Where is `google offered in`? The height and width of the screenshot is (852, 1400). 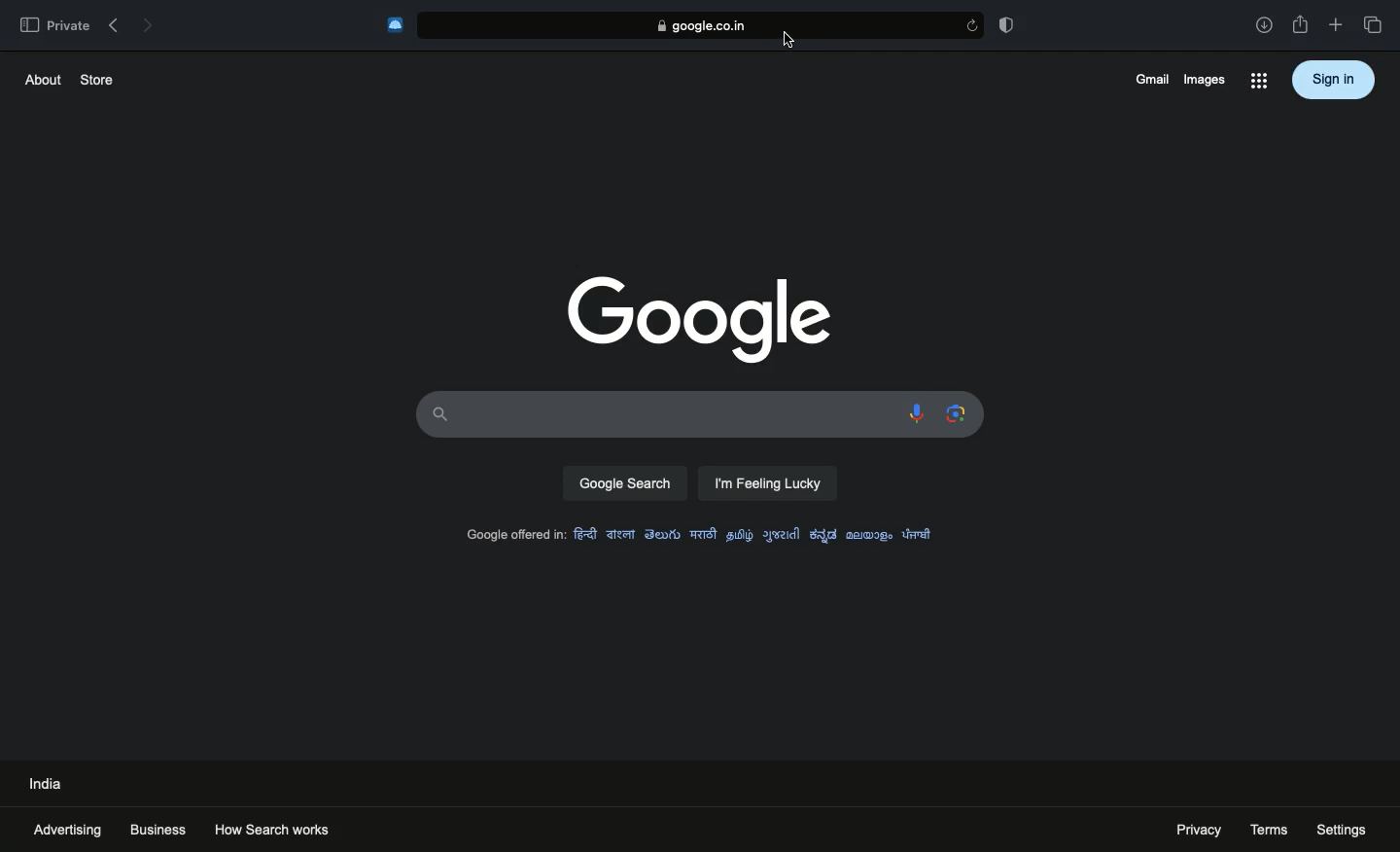
google offered in is located at coordinates (511, 536).